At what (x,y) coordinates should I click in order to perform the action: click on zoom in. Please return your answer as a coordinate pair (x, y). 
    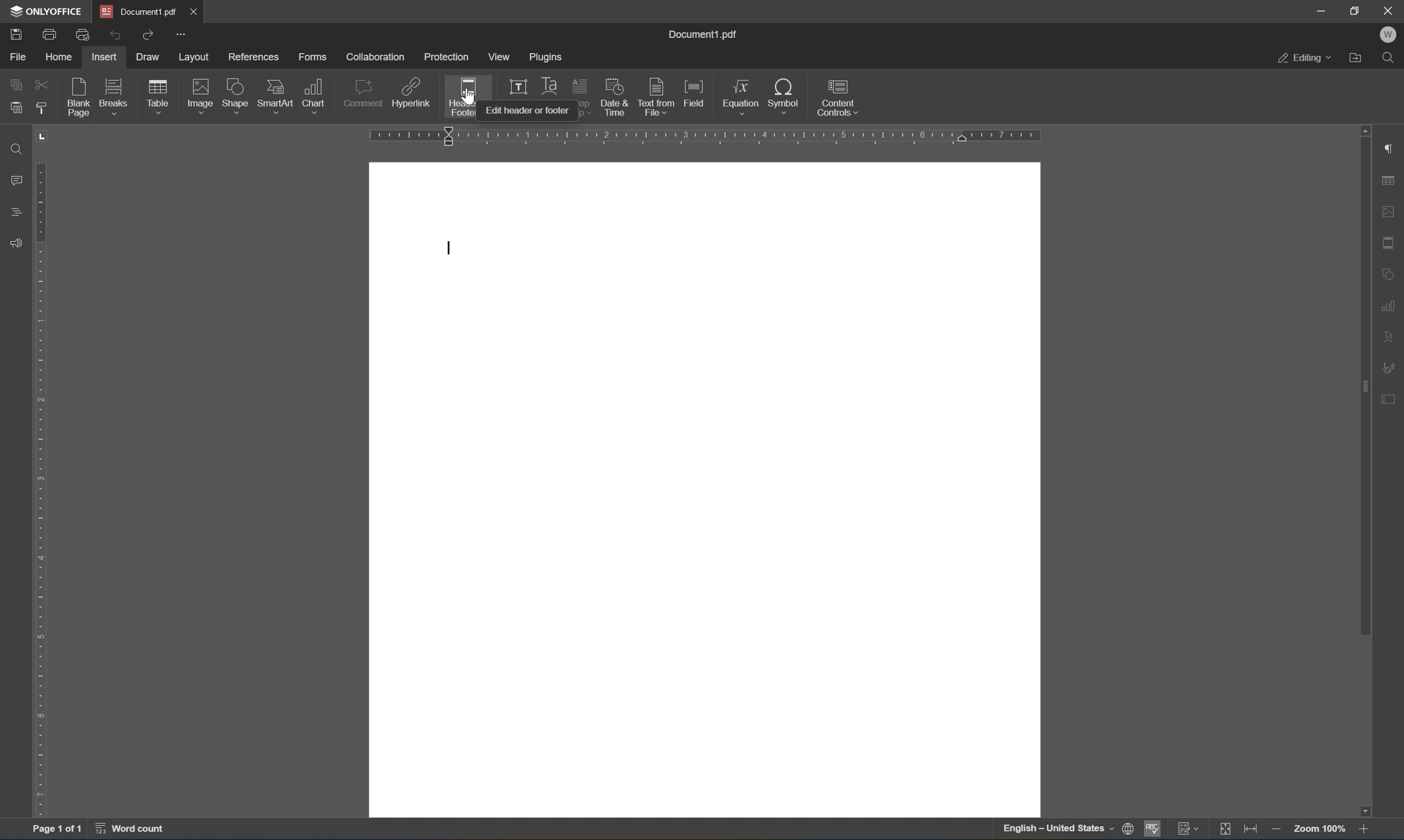
    Looking at the image, I should click on (1367, 830).